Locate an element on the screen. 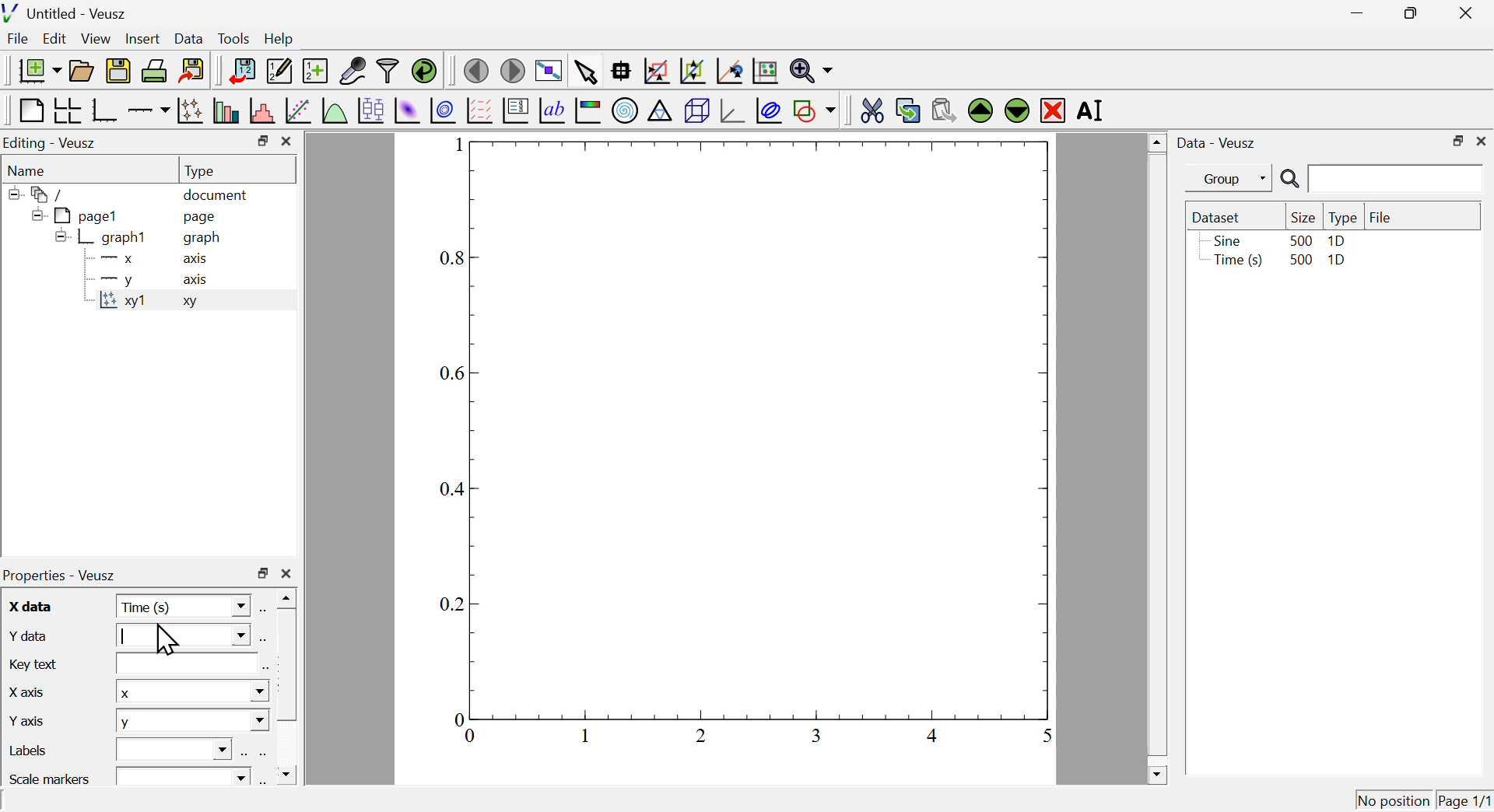  0 is located at coordinates (472, 737).